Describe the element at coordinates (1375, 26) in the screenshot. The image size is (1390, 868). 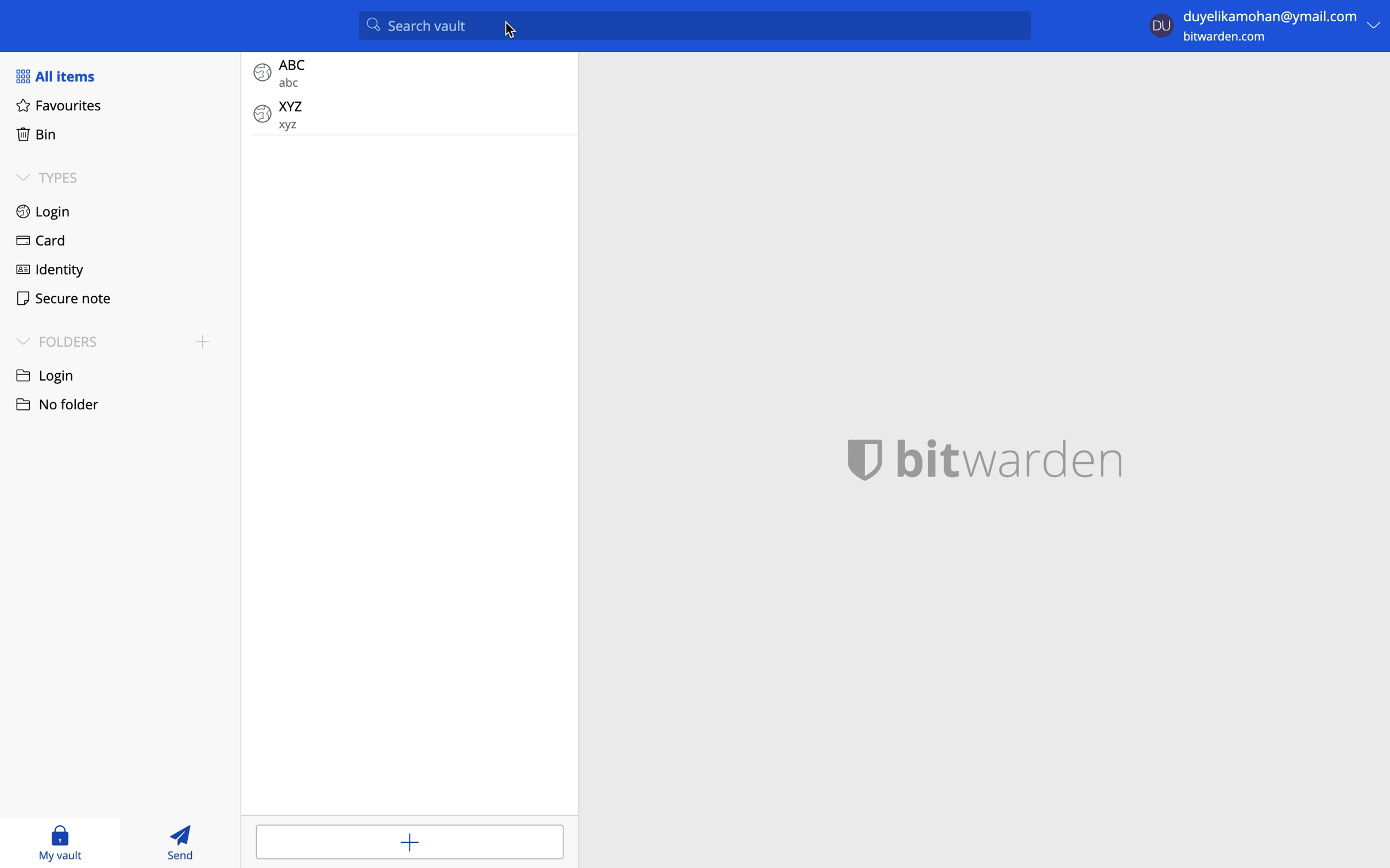
I see `more options` at that location.